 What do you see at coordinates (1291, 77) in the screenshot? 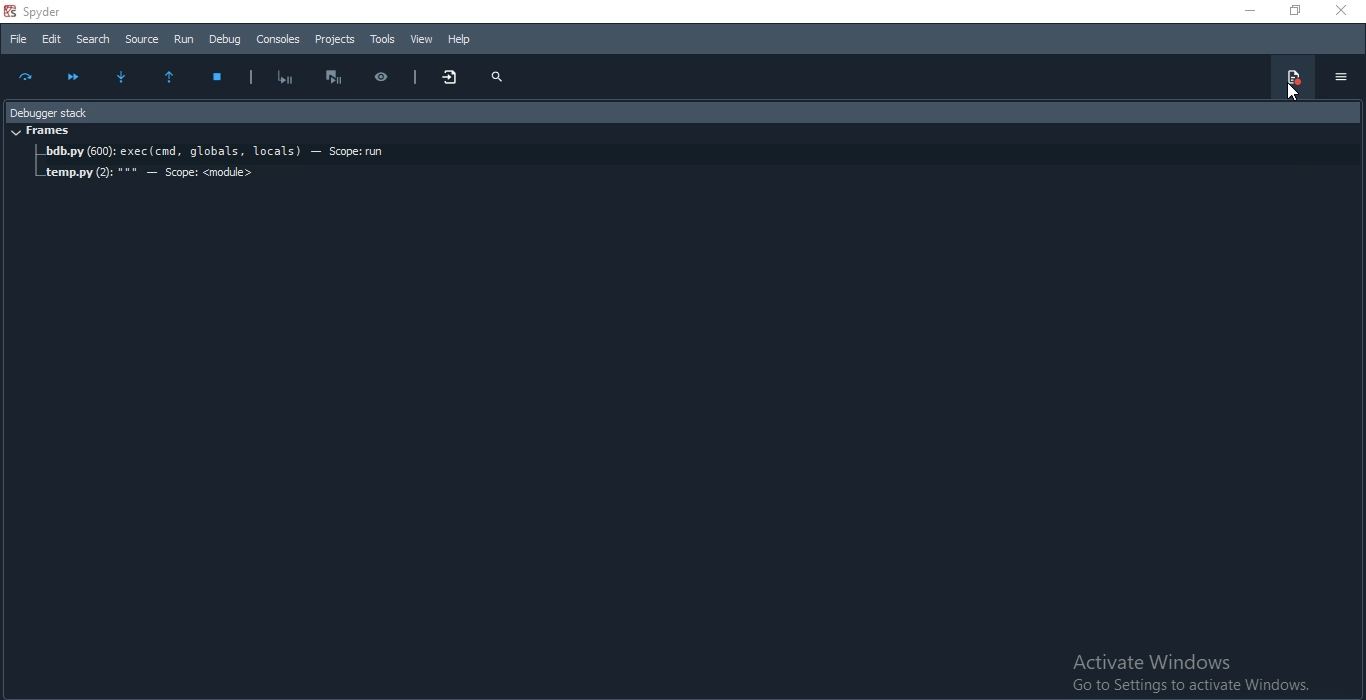
I see `debug menu` at bounding box center [1291, 77].